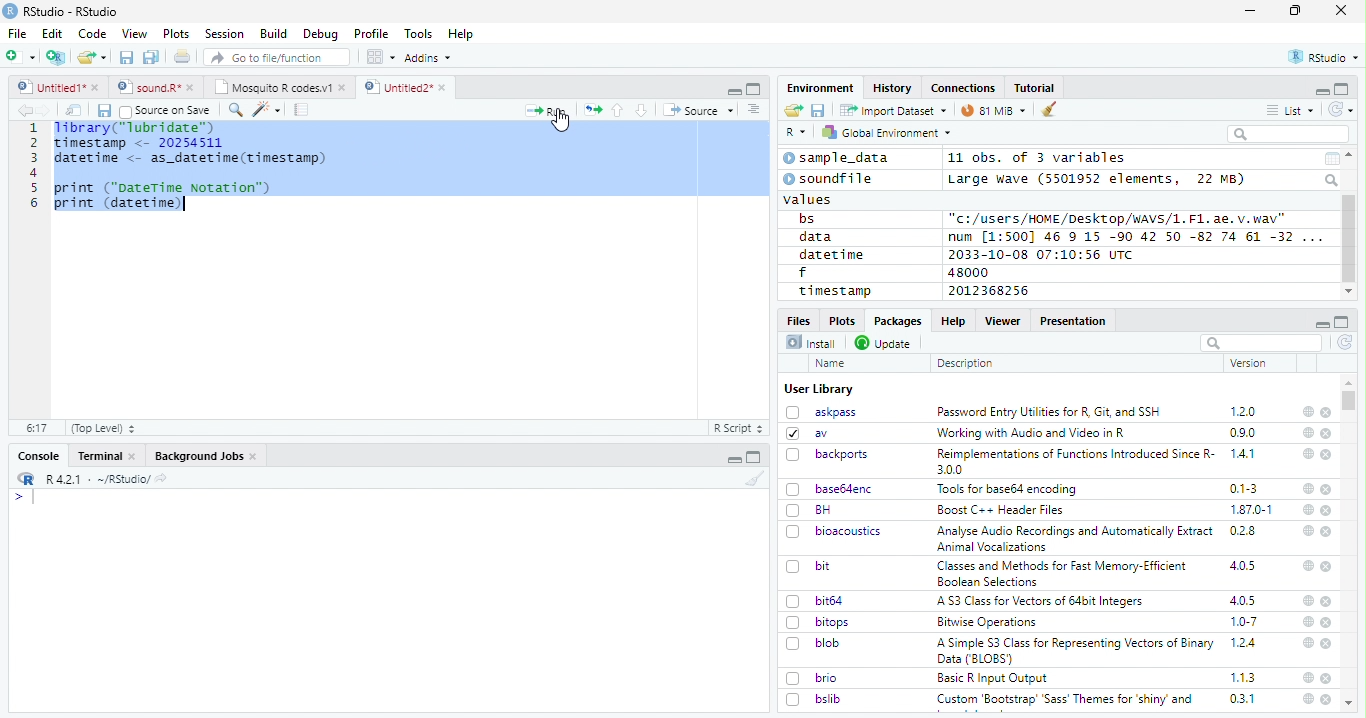 The image size is (1366, 718). I want to click on scroll down, so click(1348, 292).